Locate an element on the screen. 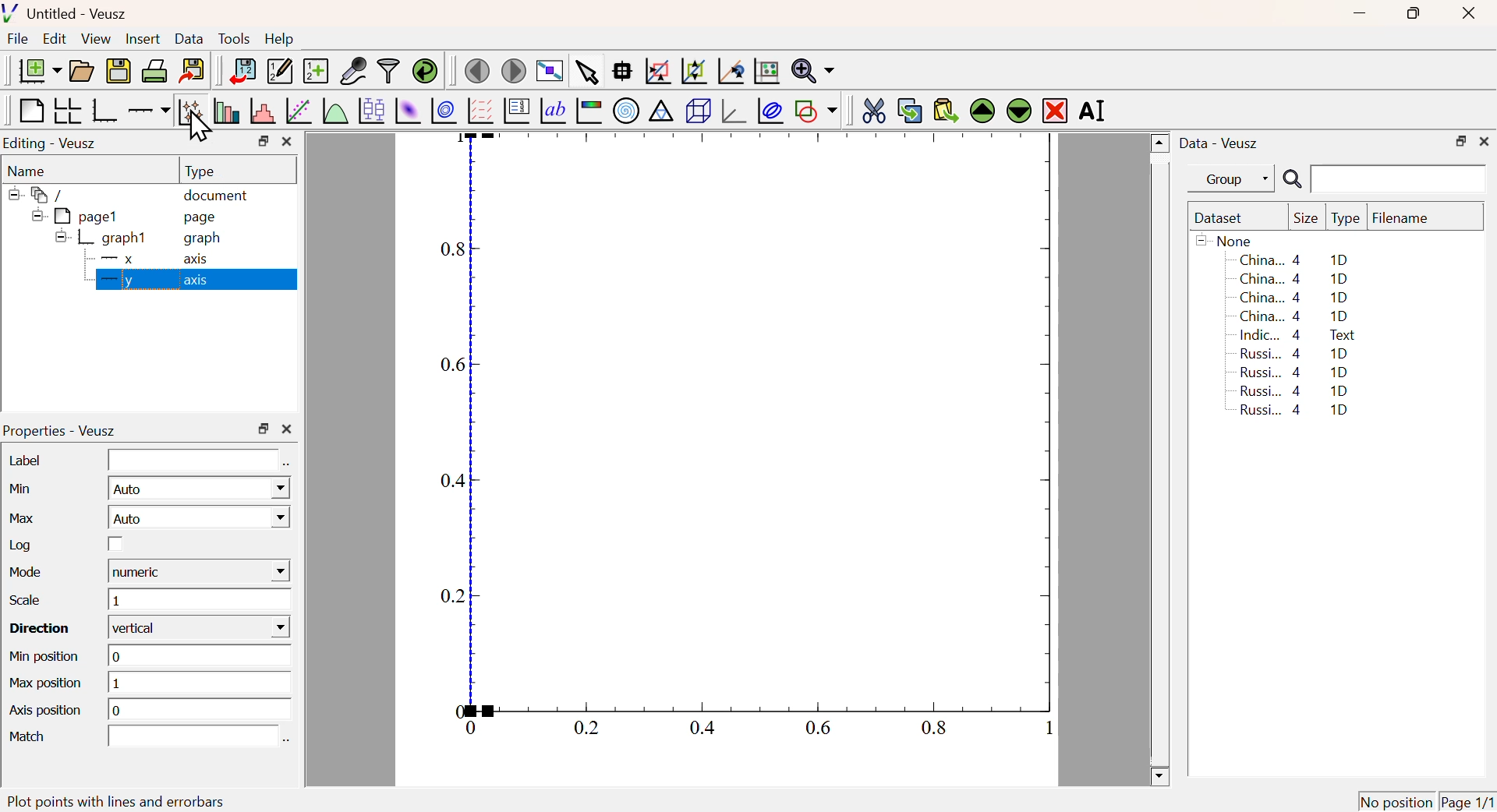  graph1 is located at coordinates (103, 237).